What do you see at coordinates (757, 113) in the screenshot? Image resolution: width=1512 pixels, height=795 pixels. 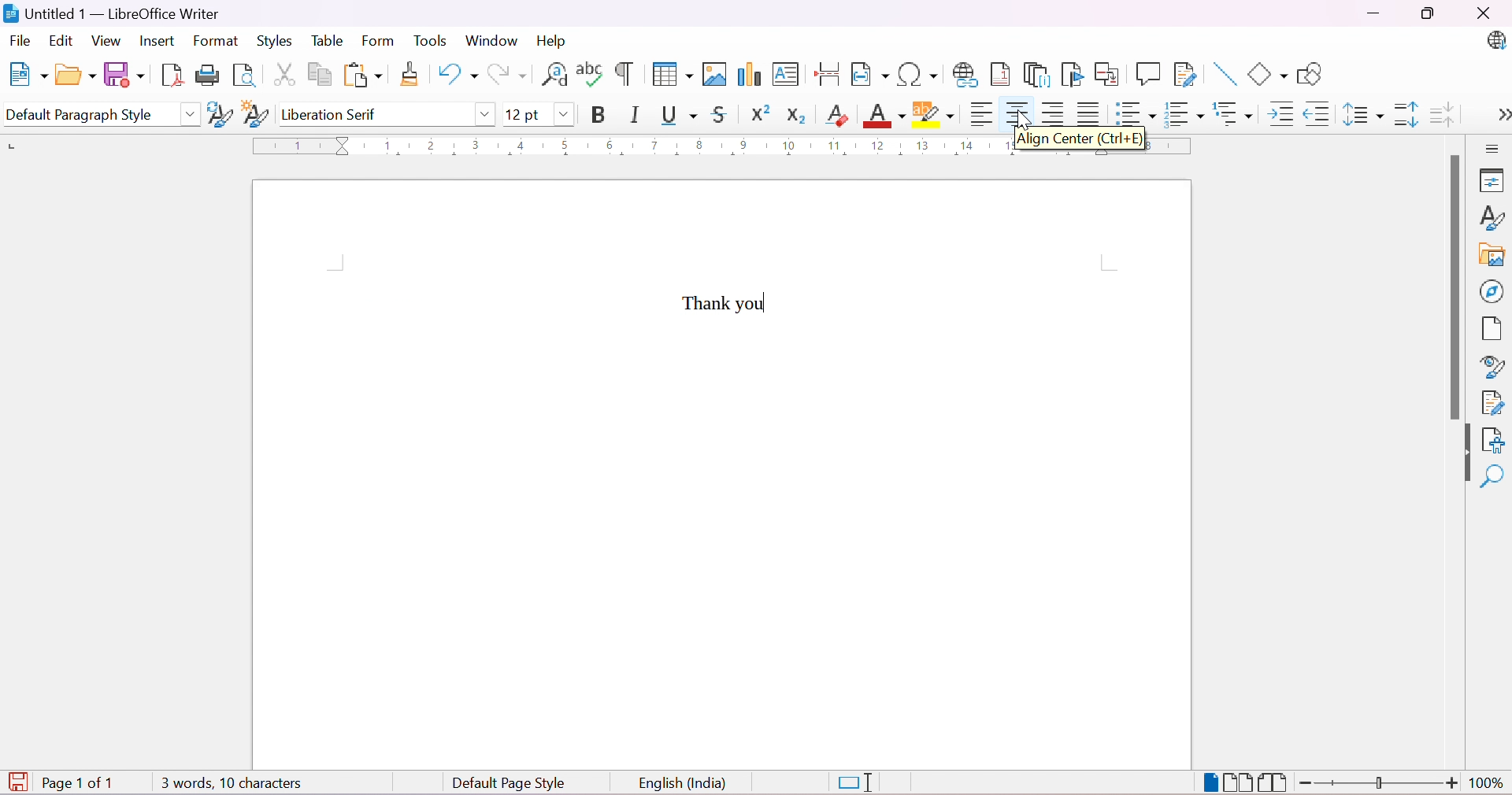 I see `Superscript` at bounding box center [757, 113].